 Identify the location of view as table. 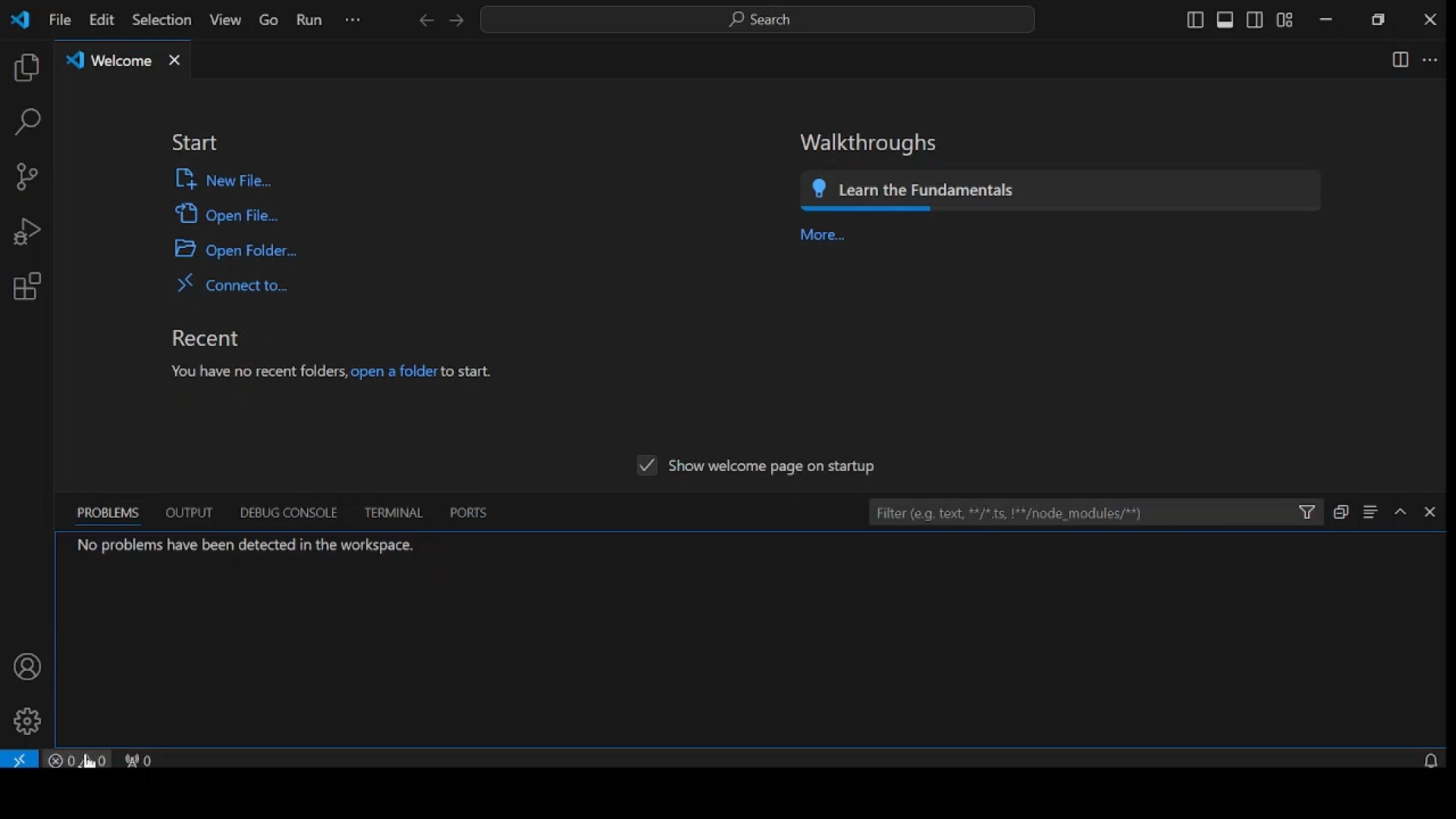
(1370, 512).